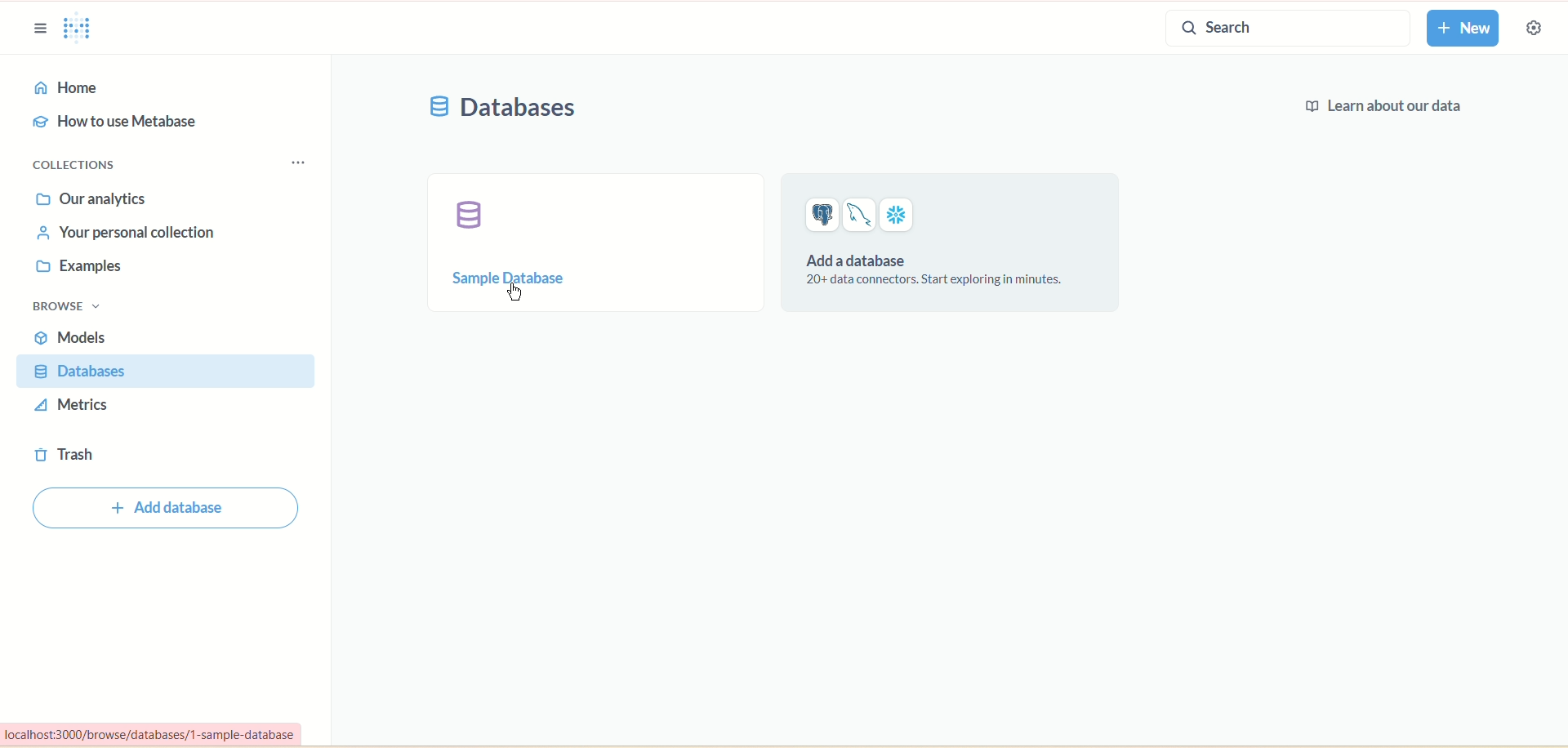 The height and width of the screenshot is (748, 1568). What do you see at coordinates (595, 243) in the screenshot?
I see `sample database` at bounding box center [595, 243].